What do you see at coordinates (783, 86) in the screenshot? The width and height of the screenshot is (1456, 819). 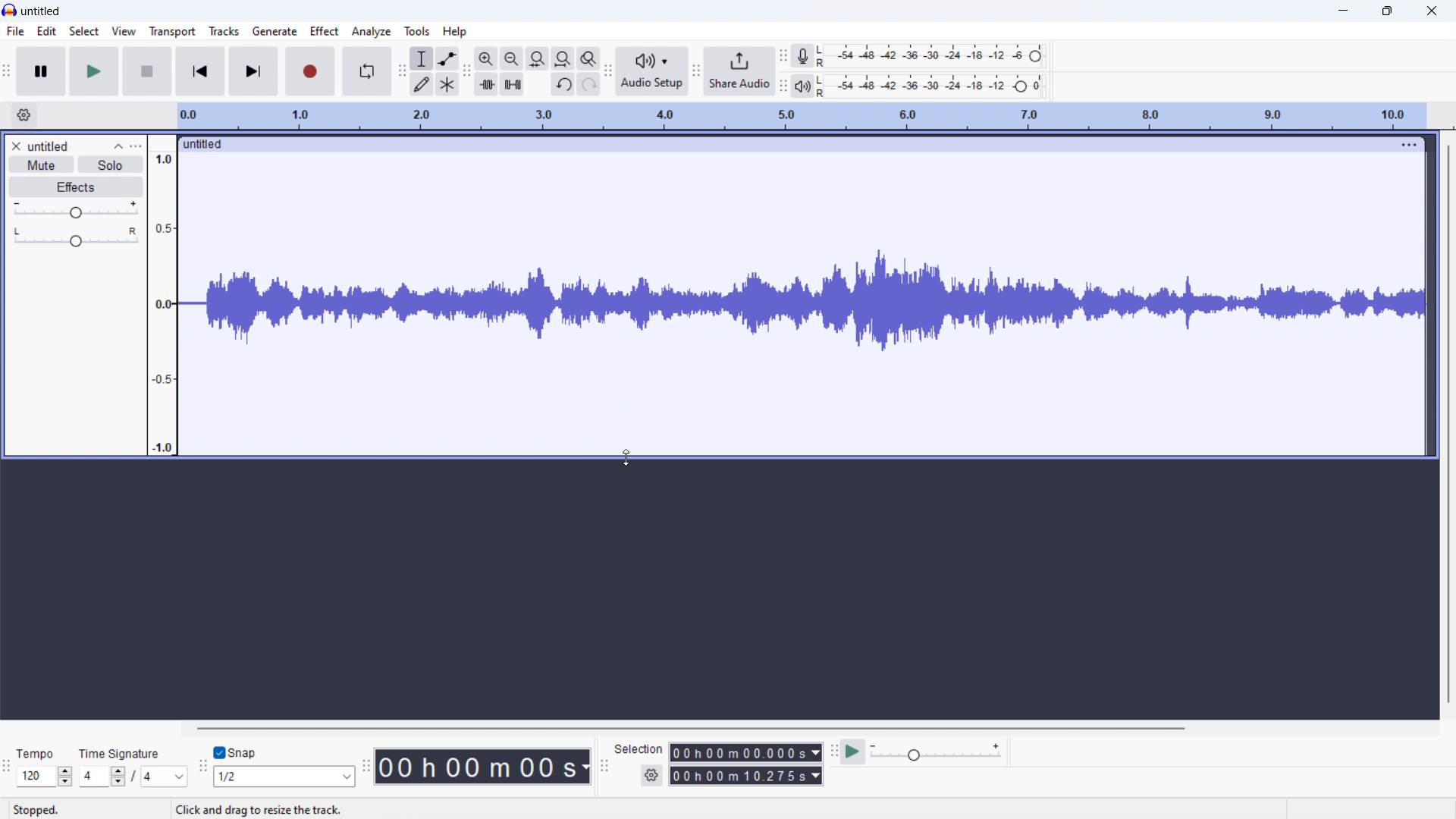 I see `playback meter toolbar` at bounding box center [783, 86].